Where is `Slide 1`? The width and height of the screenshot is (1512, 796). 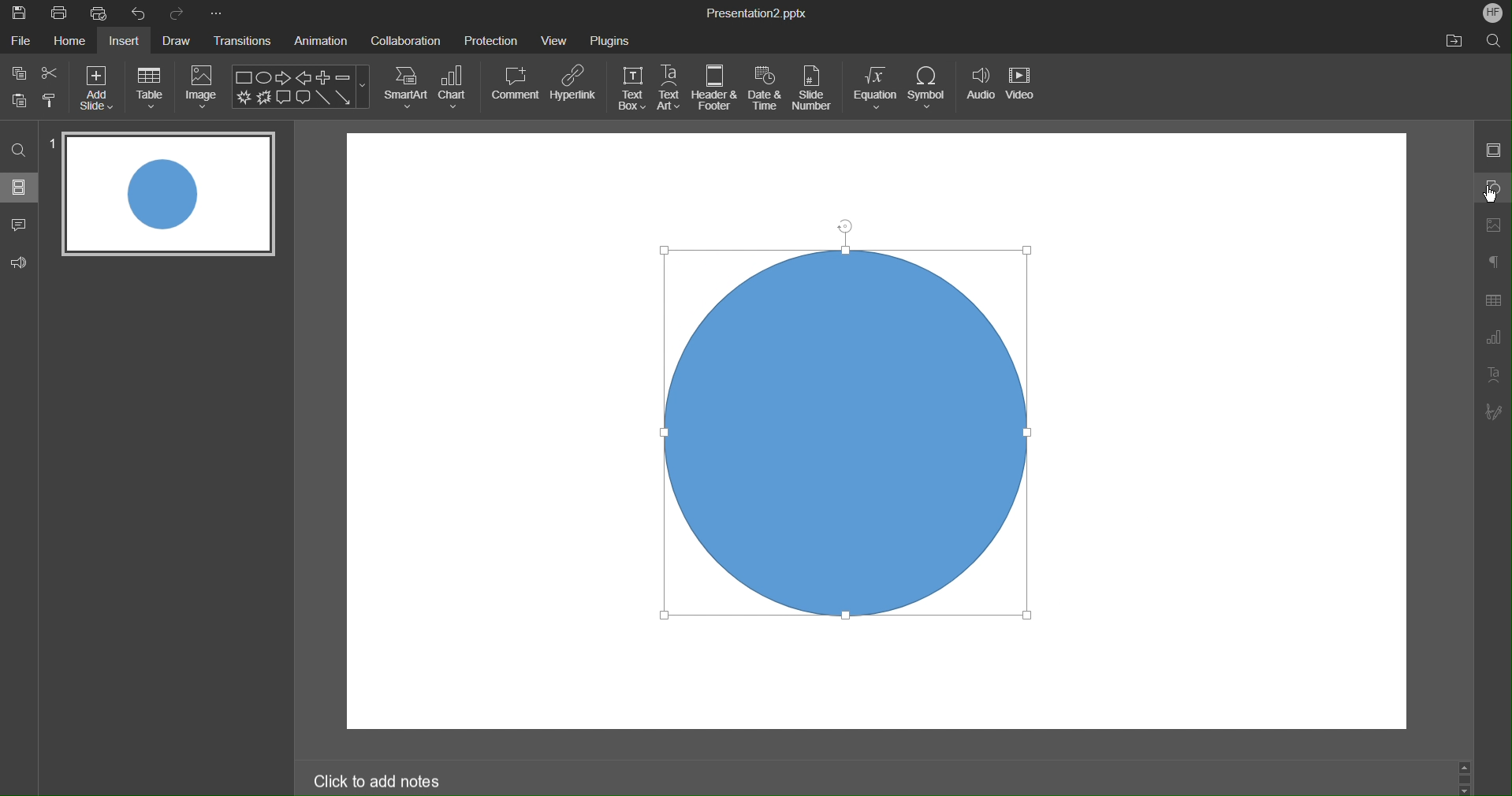
Slide 1 is located at coordinates (166, 193).